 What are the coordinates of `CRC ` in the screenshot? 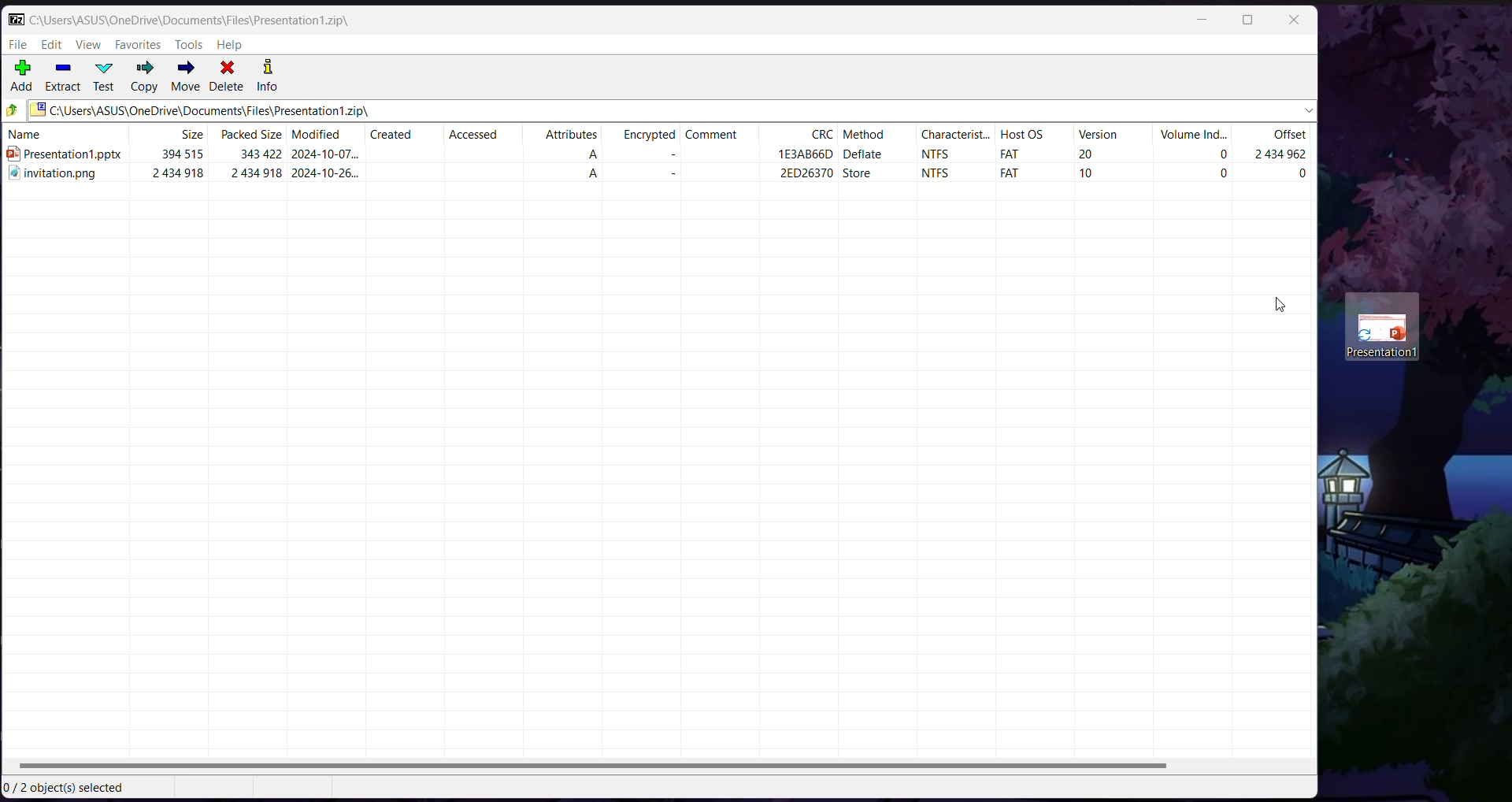 It's located at (824, 135).